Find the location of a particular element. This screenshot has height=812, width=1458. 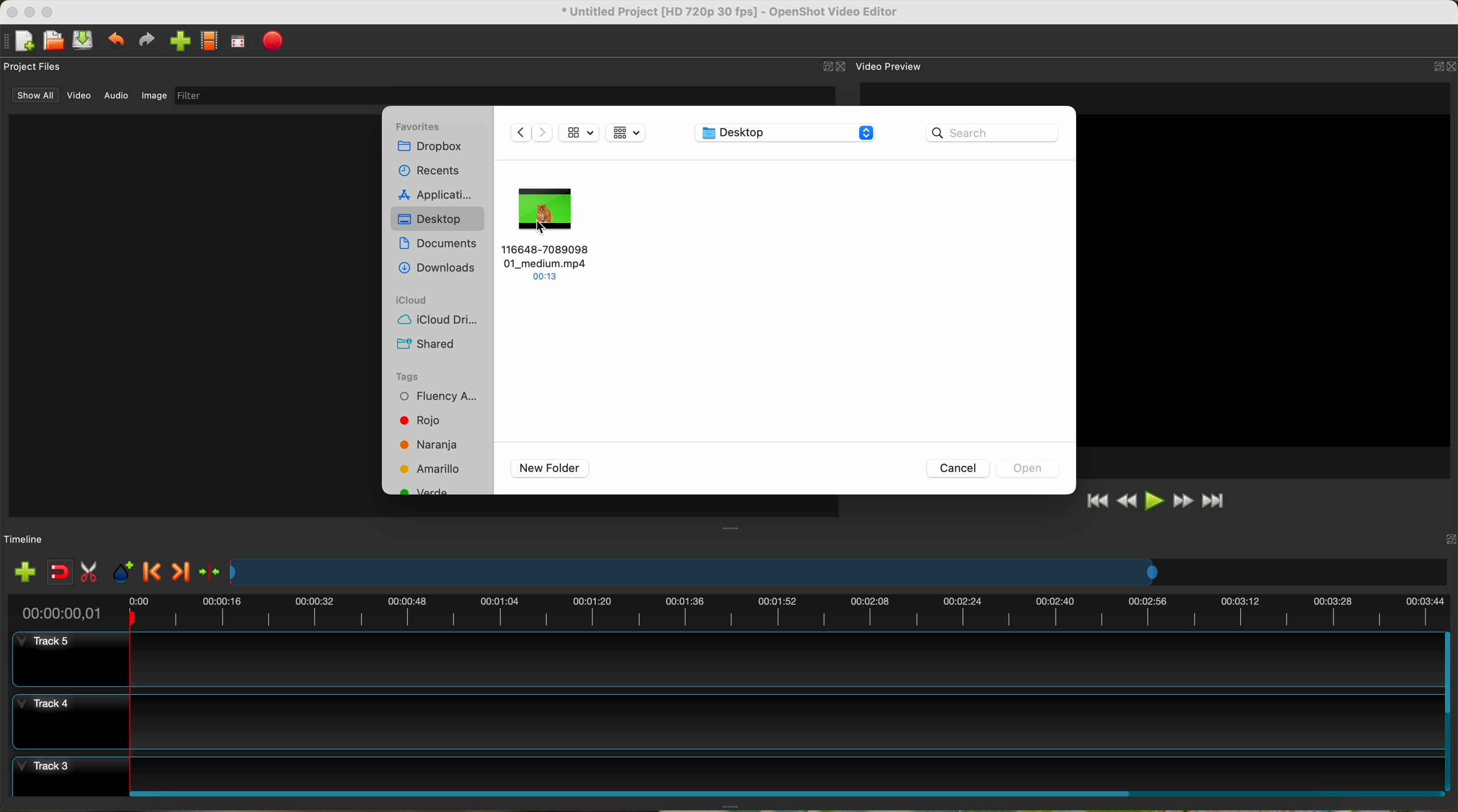

jump to end is located at coordinates (1215, 502).